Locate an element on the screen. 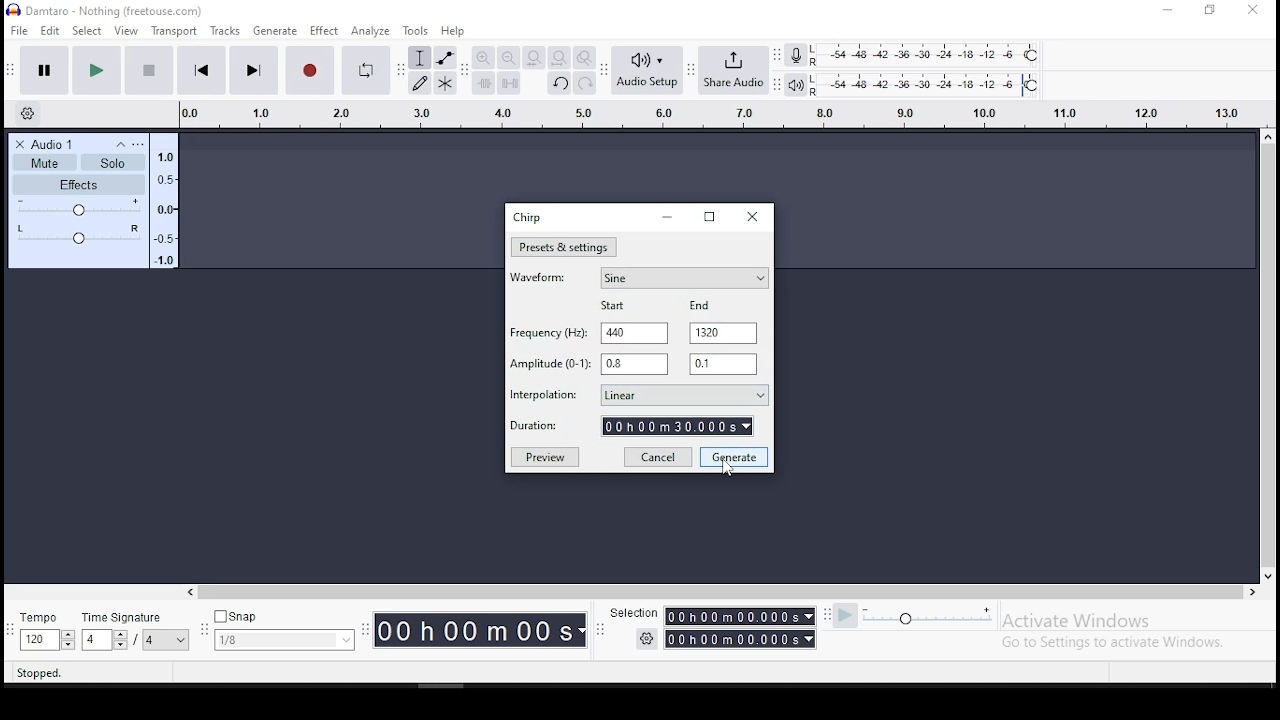 The height and width of the screenshot is (720, 1280). redo is located at coordinates (585, 82).